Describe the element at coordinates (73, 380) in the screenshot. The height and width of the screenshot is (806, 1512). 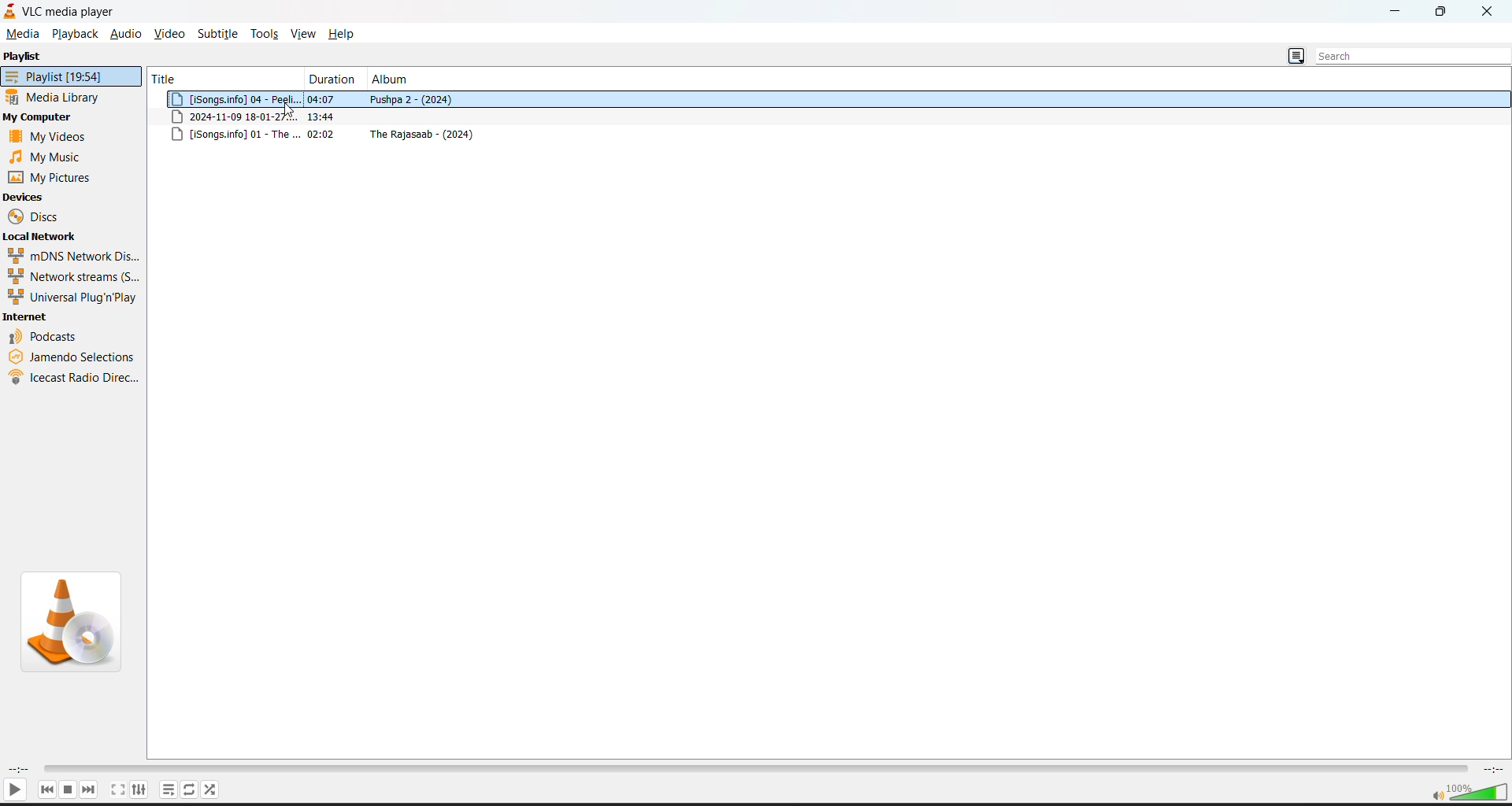
I see `icecast` at that location.